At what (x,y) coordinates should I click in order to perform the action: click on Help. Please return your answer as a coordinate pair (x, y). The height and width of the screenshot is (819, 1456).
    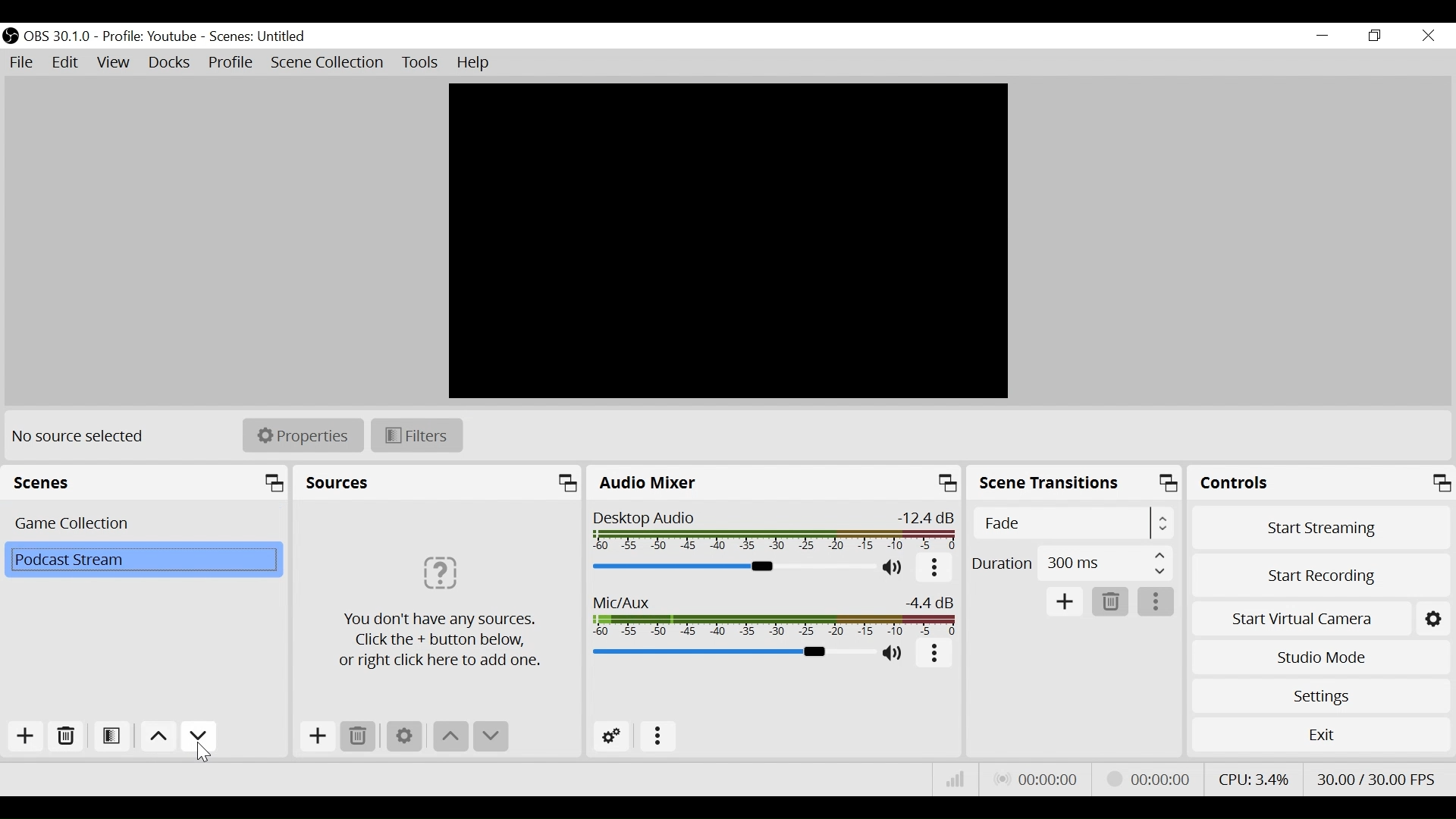
    Looking at the image, I should click on (475, 63).